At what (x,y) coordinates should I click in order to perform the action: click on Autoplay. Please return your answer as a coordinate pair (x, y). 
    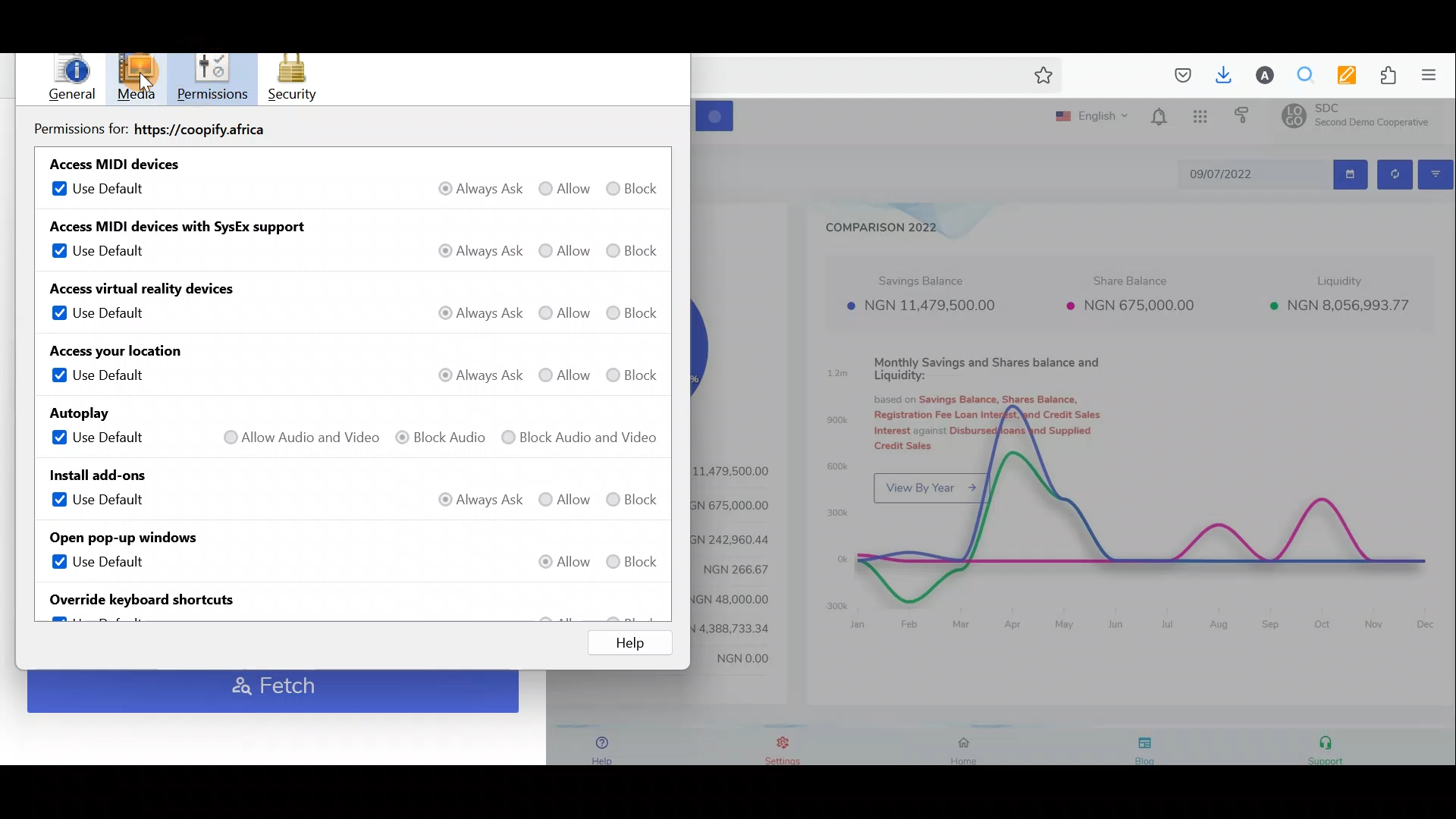
    Looking at the image, I should click on (93, 411).